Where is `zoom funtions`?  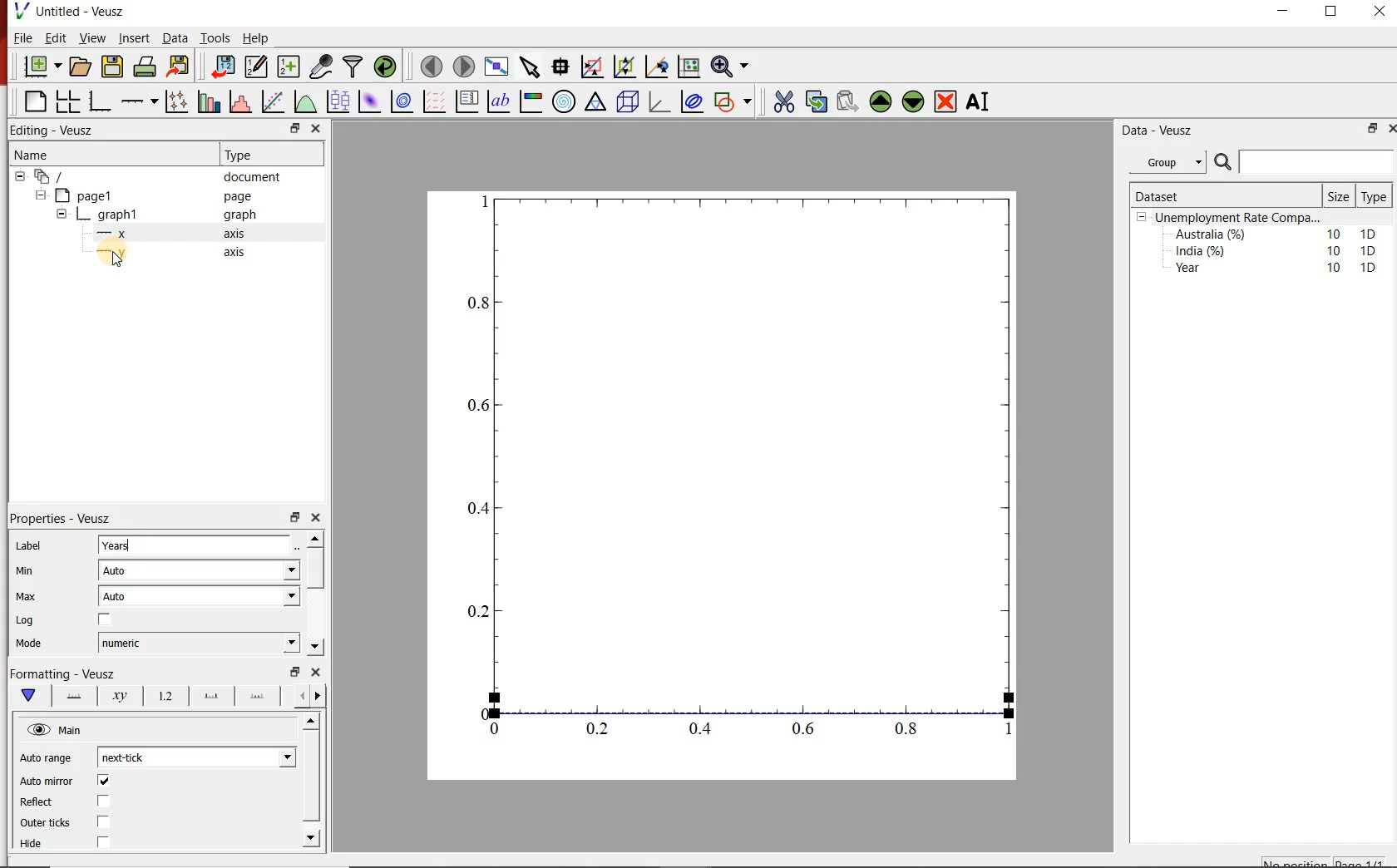 zoom funtions is located at coordinates (733, 65).